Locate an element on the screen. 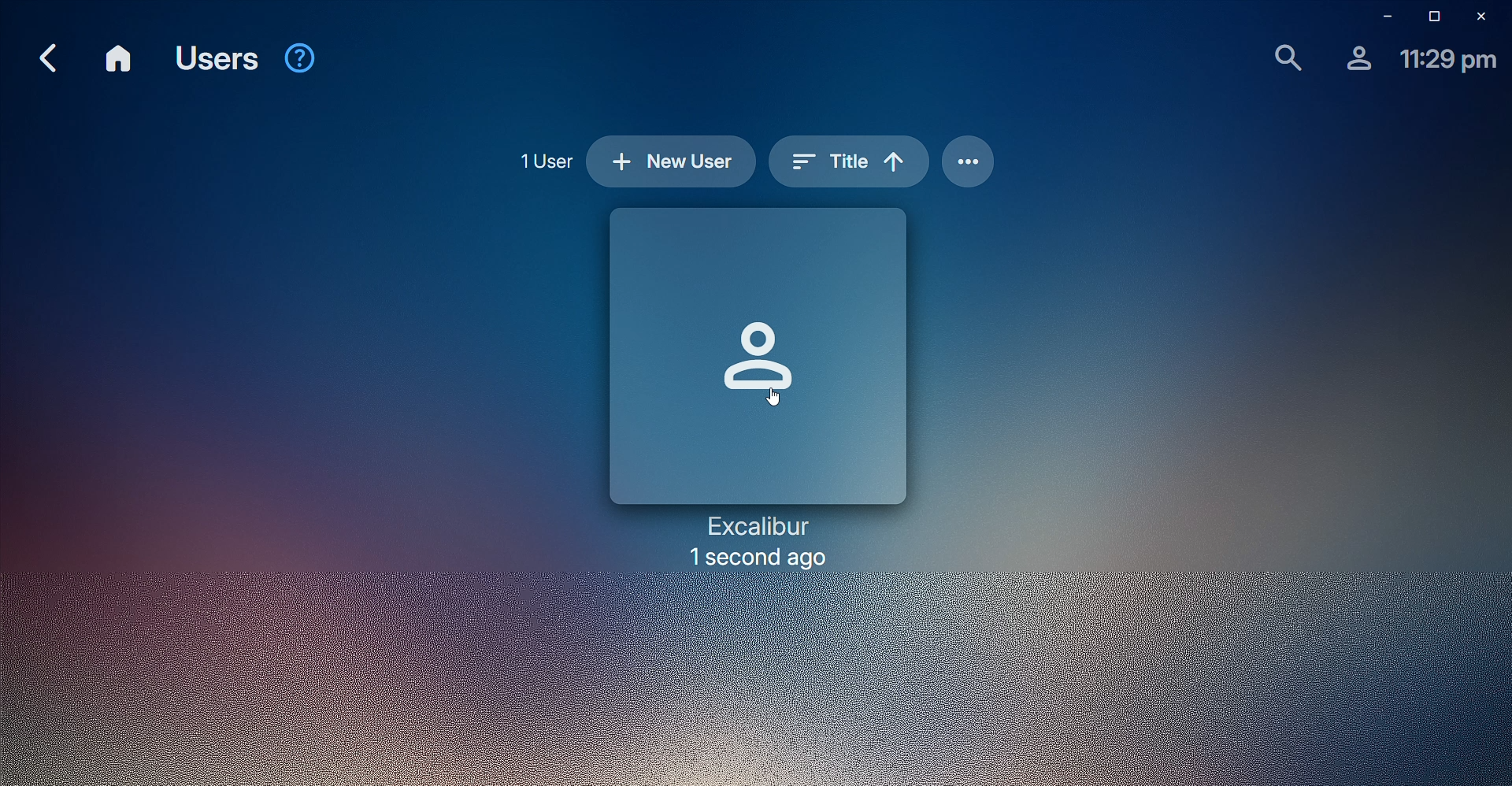 Image resolution: width=1512 pixels, height=786 pixels. Profile picture space is located at coordinates (759, 358).